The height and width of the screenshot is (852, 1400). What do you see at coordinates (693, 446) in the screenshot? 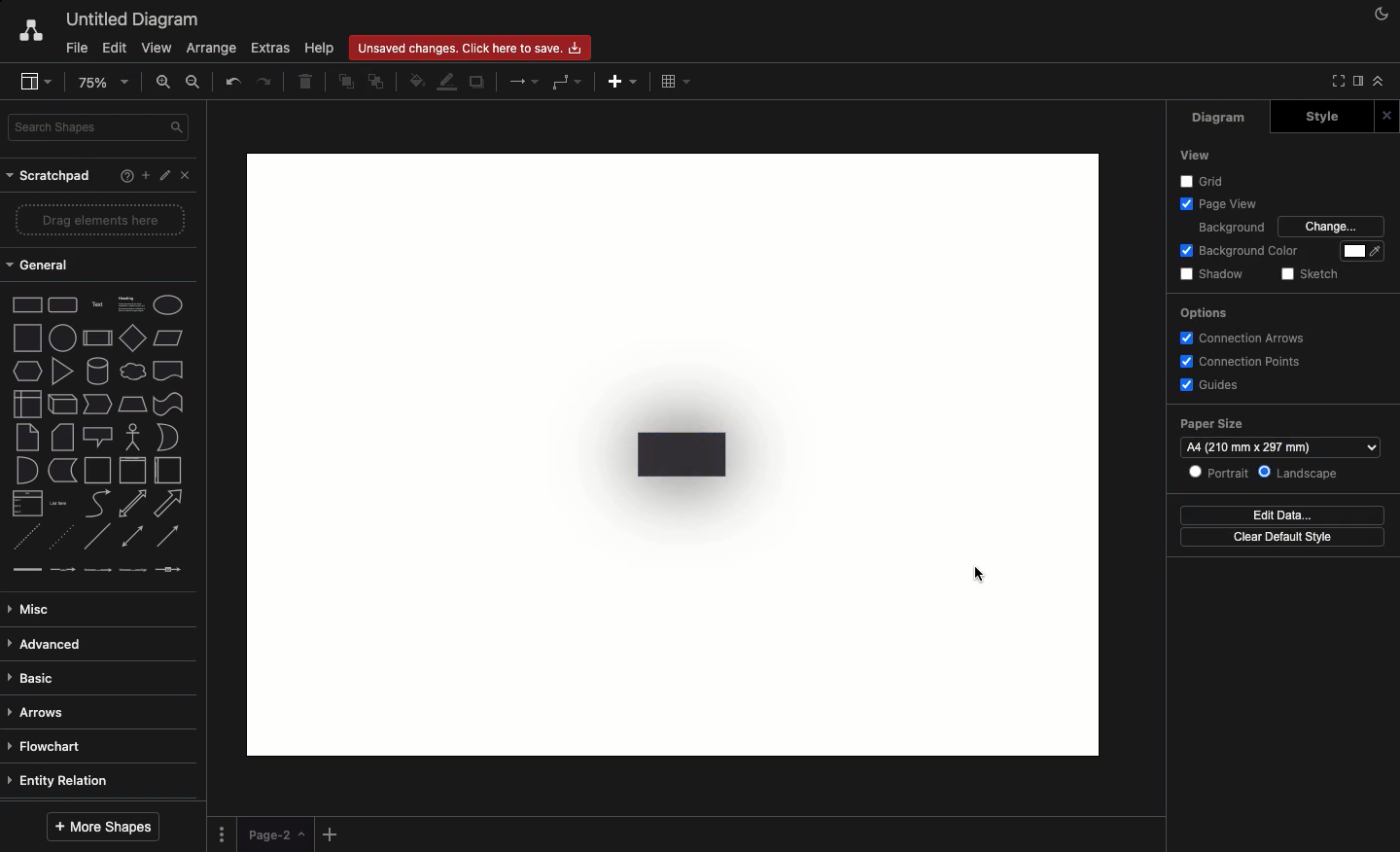
I see `Transparency + shadow` at bounding box center [693, 446].